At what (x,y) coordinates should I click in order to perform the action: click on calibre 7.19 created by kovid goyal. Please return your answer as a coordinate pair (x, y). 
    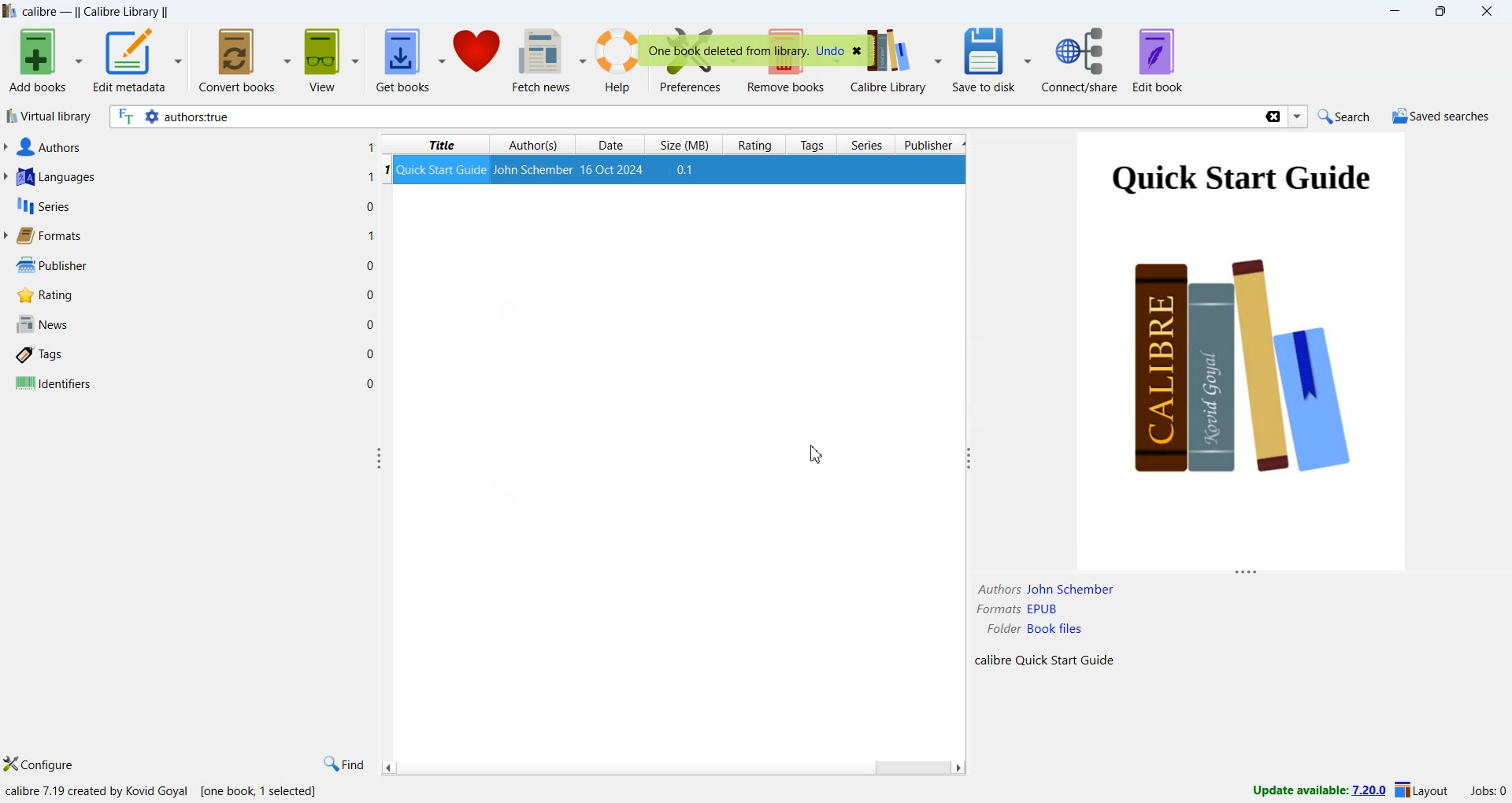
    Looking at the image, I should click on (98, 792).